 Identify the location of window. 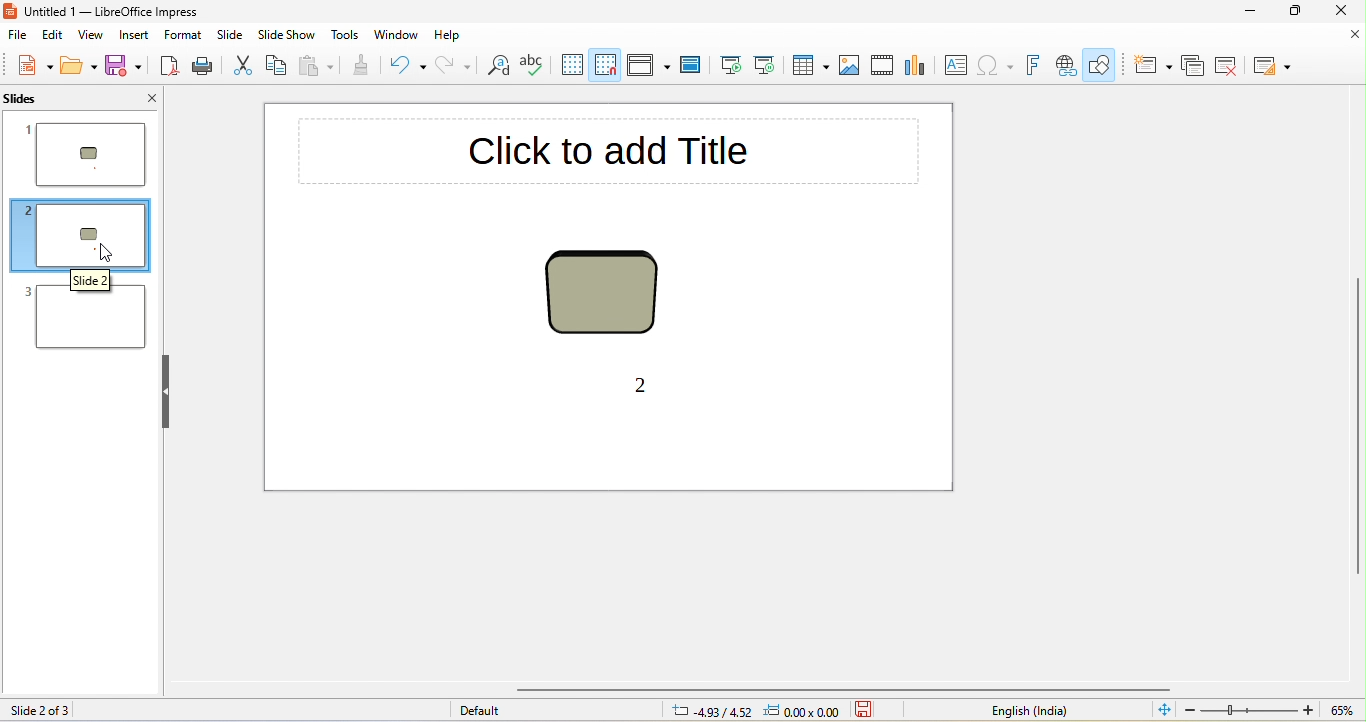
(397, 35).